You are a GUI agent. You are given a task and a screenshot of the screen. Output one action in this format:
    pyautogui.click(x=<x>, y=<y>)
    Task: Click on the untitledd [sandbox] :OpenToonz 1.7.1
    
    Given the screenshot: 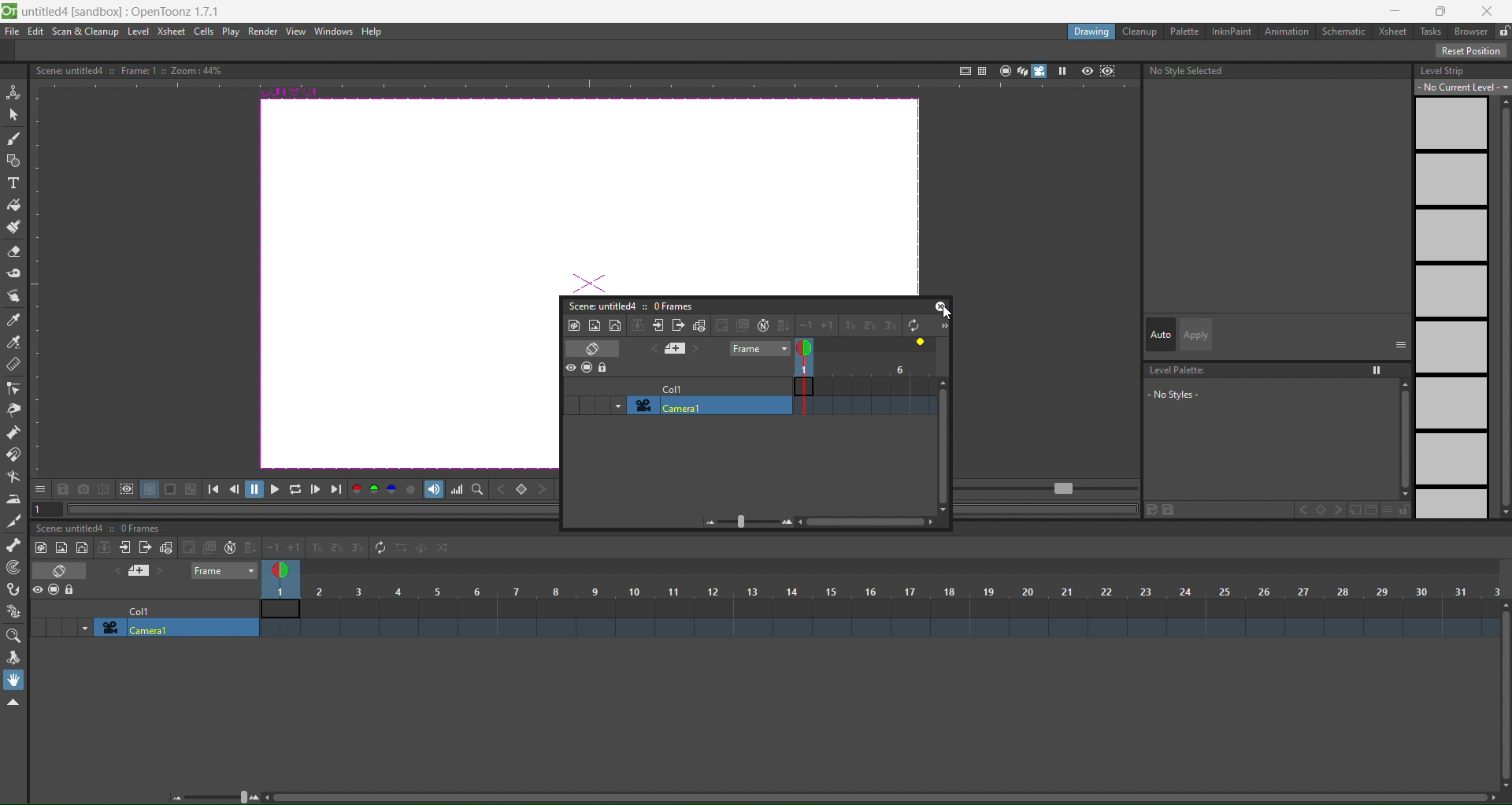 What is the action you would take?
    pyautogui.click(x=124, y=11)
    